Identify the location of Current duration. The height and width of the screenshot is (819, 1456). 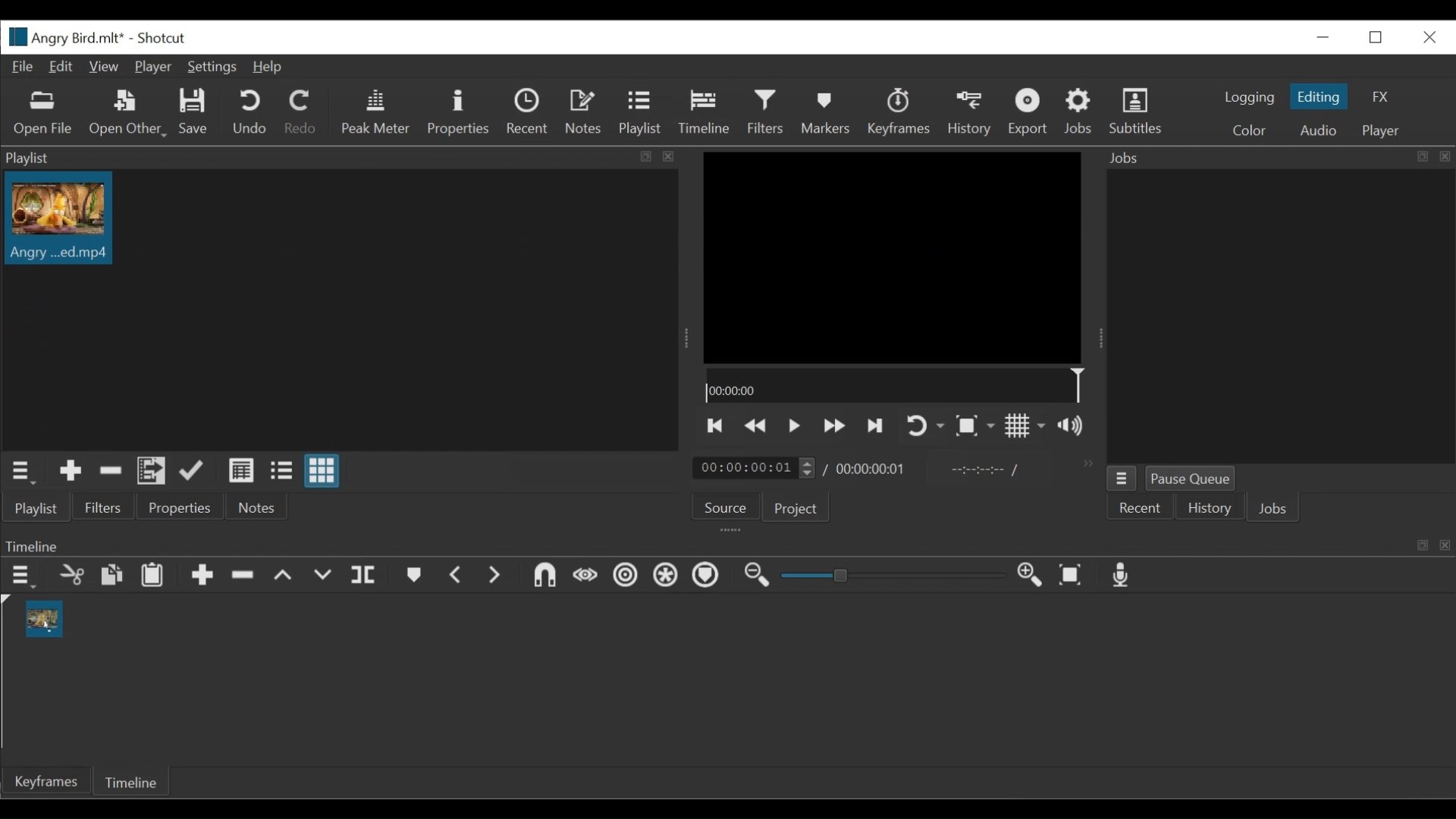
(755, 468).